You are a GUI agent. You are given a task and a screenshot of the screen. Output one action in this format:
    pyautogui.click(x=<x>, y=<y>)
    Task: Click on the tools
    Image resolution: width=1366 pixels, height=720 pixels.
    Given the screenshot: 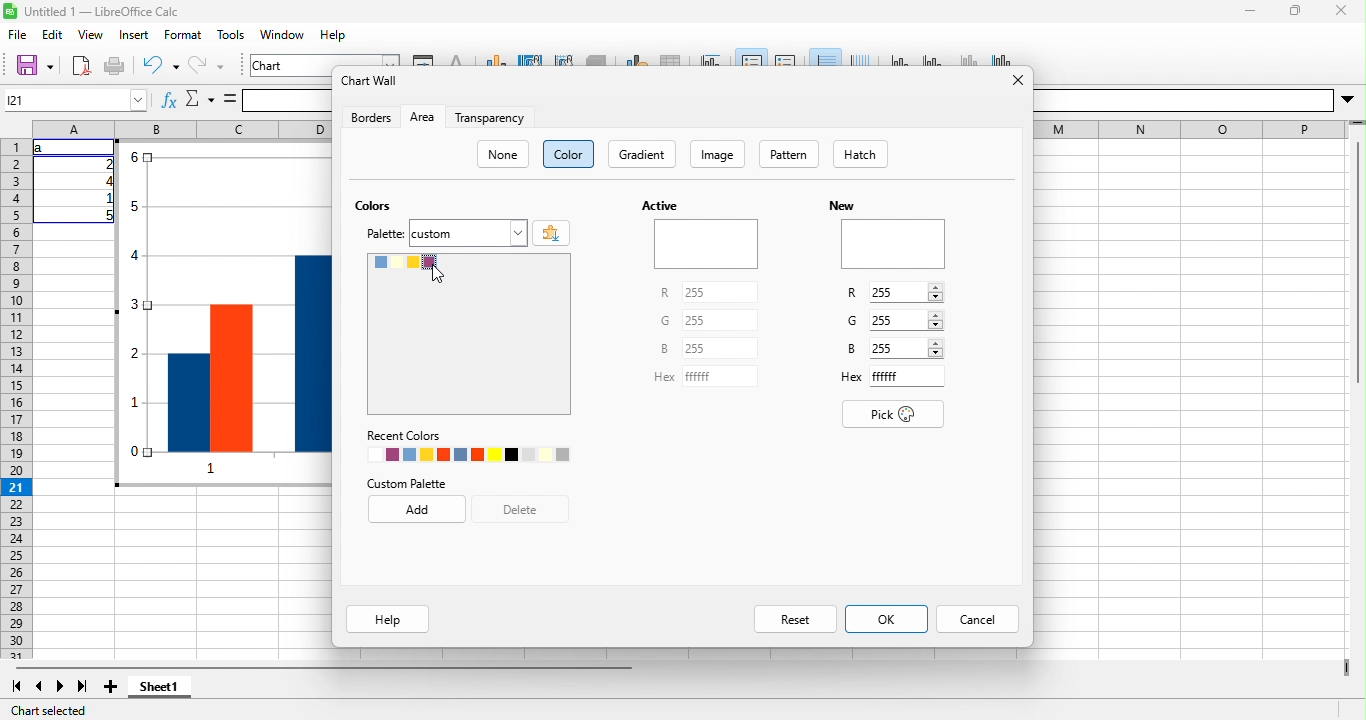 What is the action you would take?
    pyautogui.click(x=230, y=34)
    